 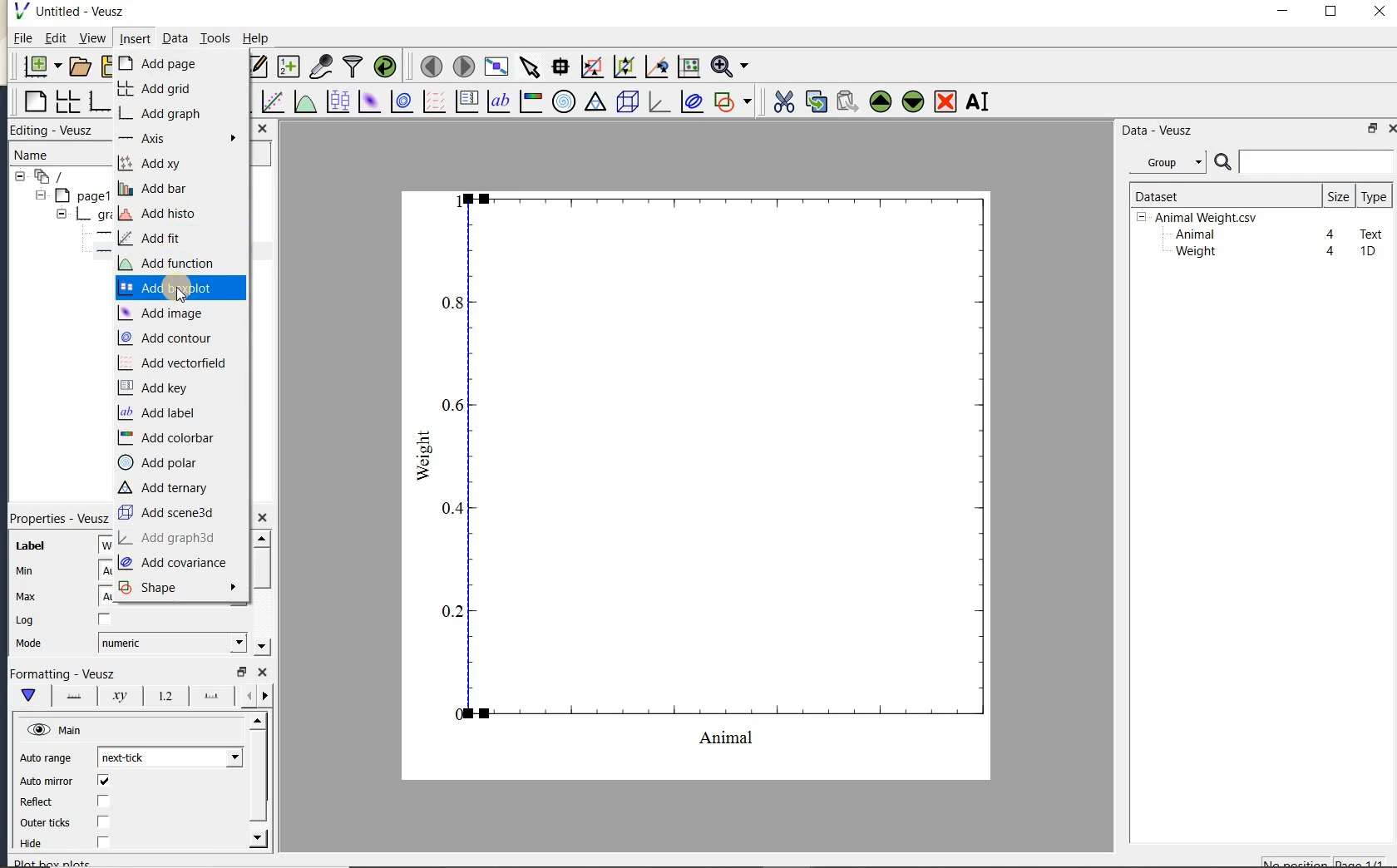 What do you see at coordinates (96, 234) in the screenshot?
I see `axis` at bounding box center [96, 234].